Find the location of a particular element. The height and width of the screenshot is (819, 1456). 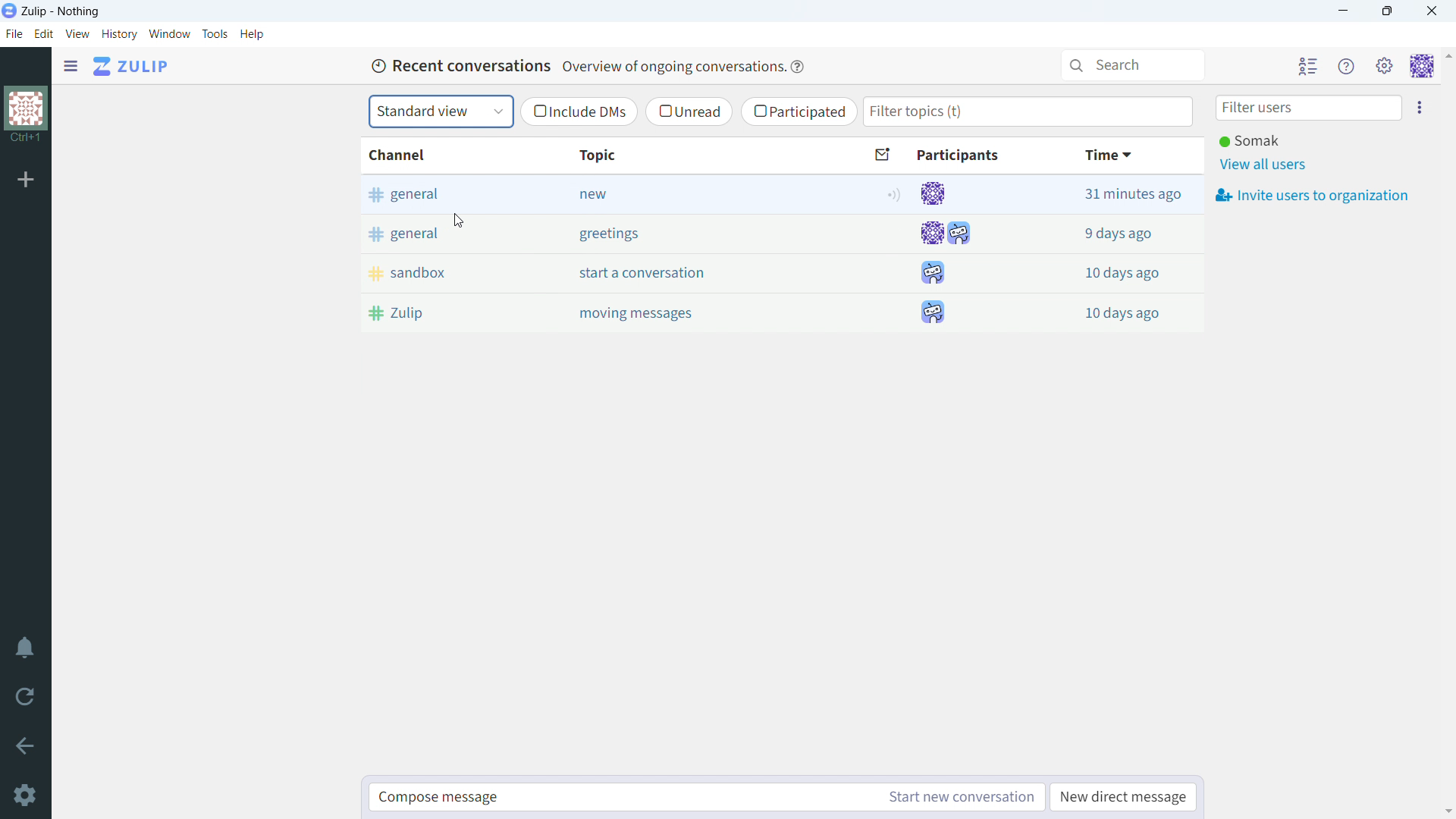

include DMs is located at coordinates (578, 112).